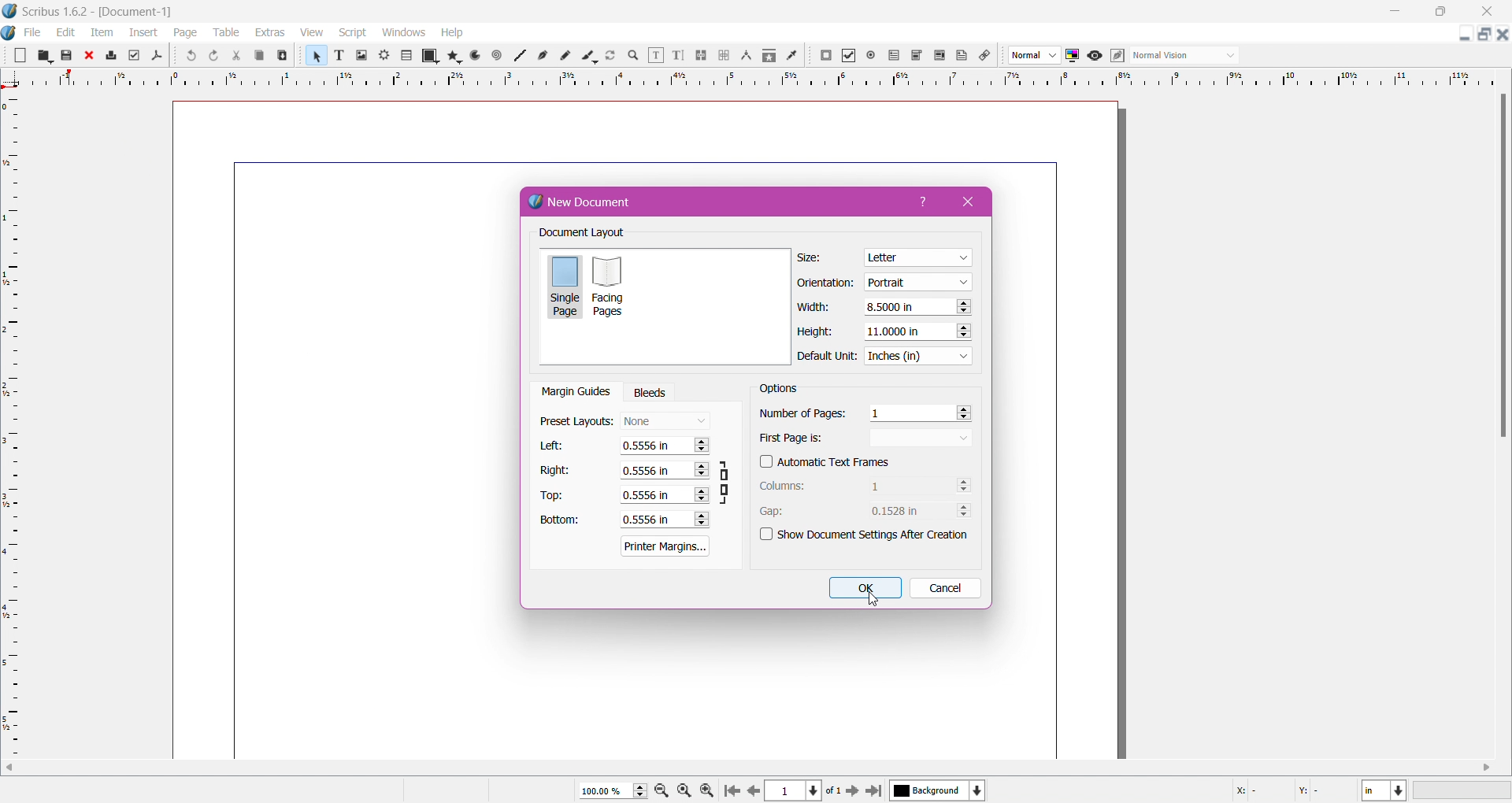 The width and height of the screenshot is (1512, 803). What do you see at coordinates (610, 57) in the screenshot?
I see `refresh` at bounding box center [610, 57].